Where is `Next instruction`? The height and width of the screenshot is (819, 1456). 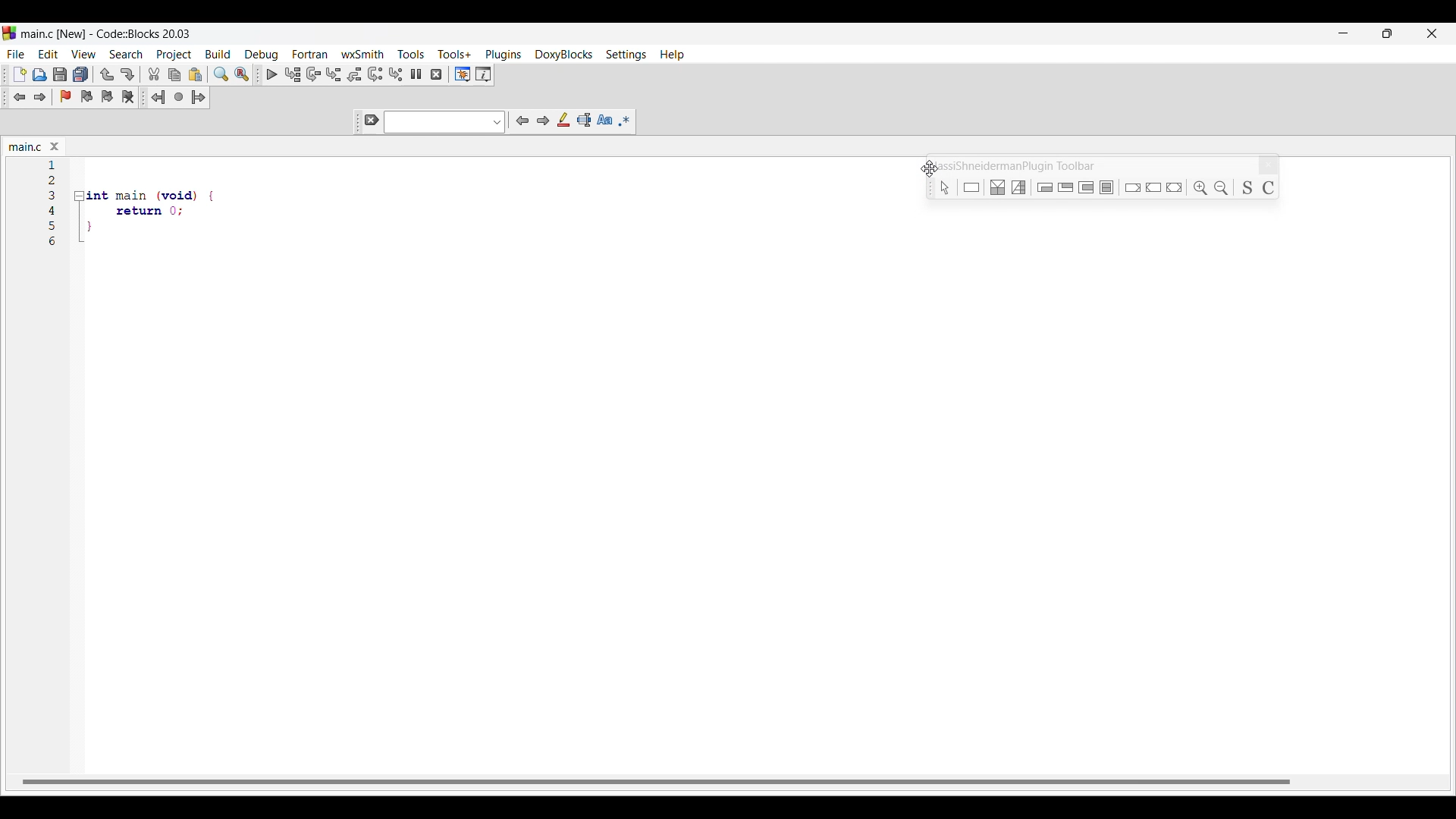
Next instruction is located at coordinates (375, 74).